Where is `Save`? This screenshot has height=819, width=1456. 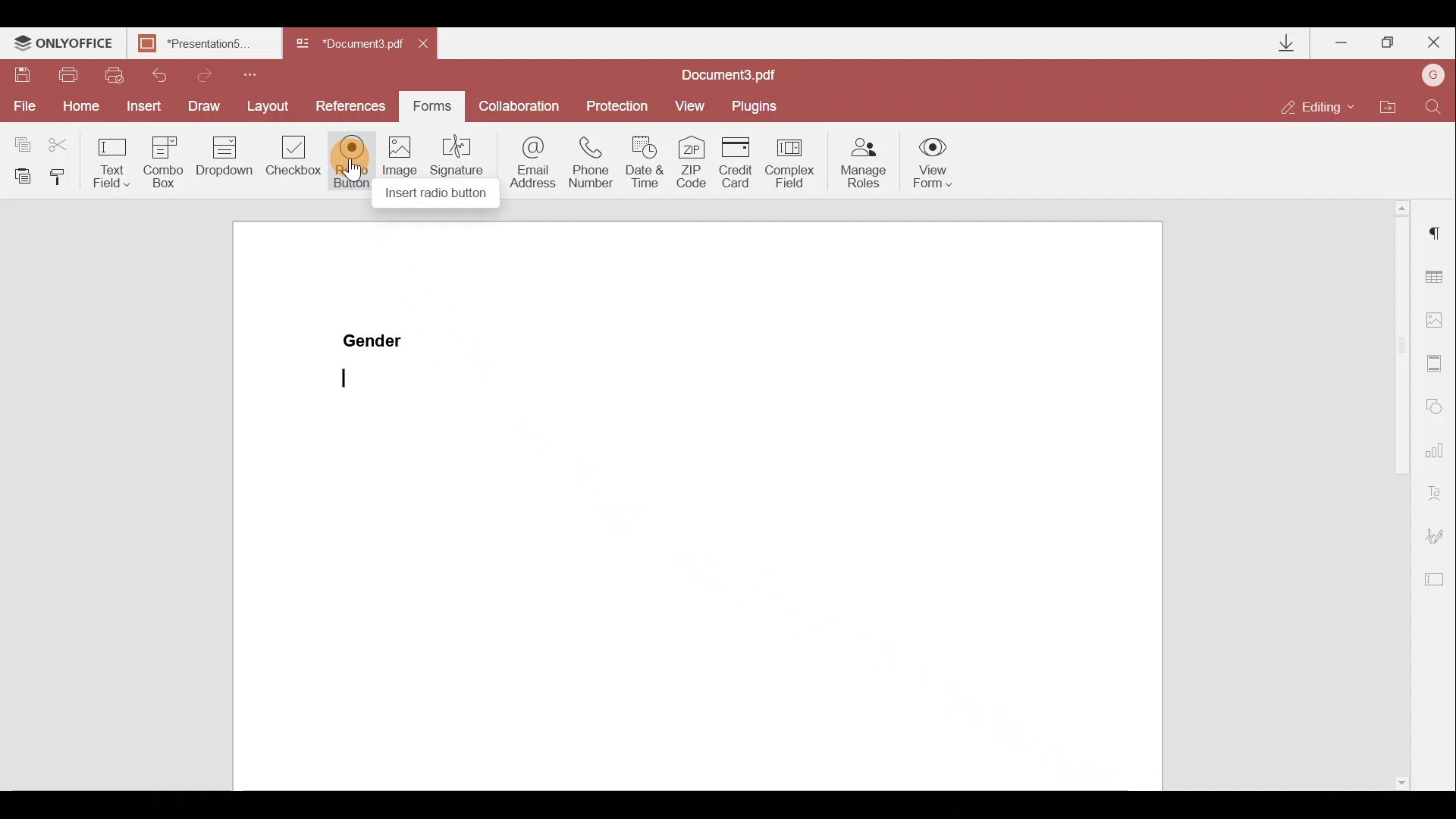
Save is located at coordinates (24, 76).